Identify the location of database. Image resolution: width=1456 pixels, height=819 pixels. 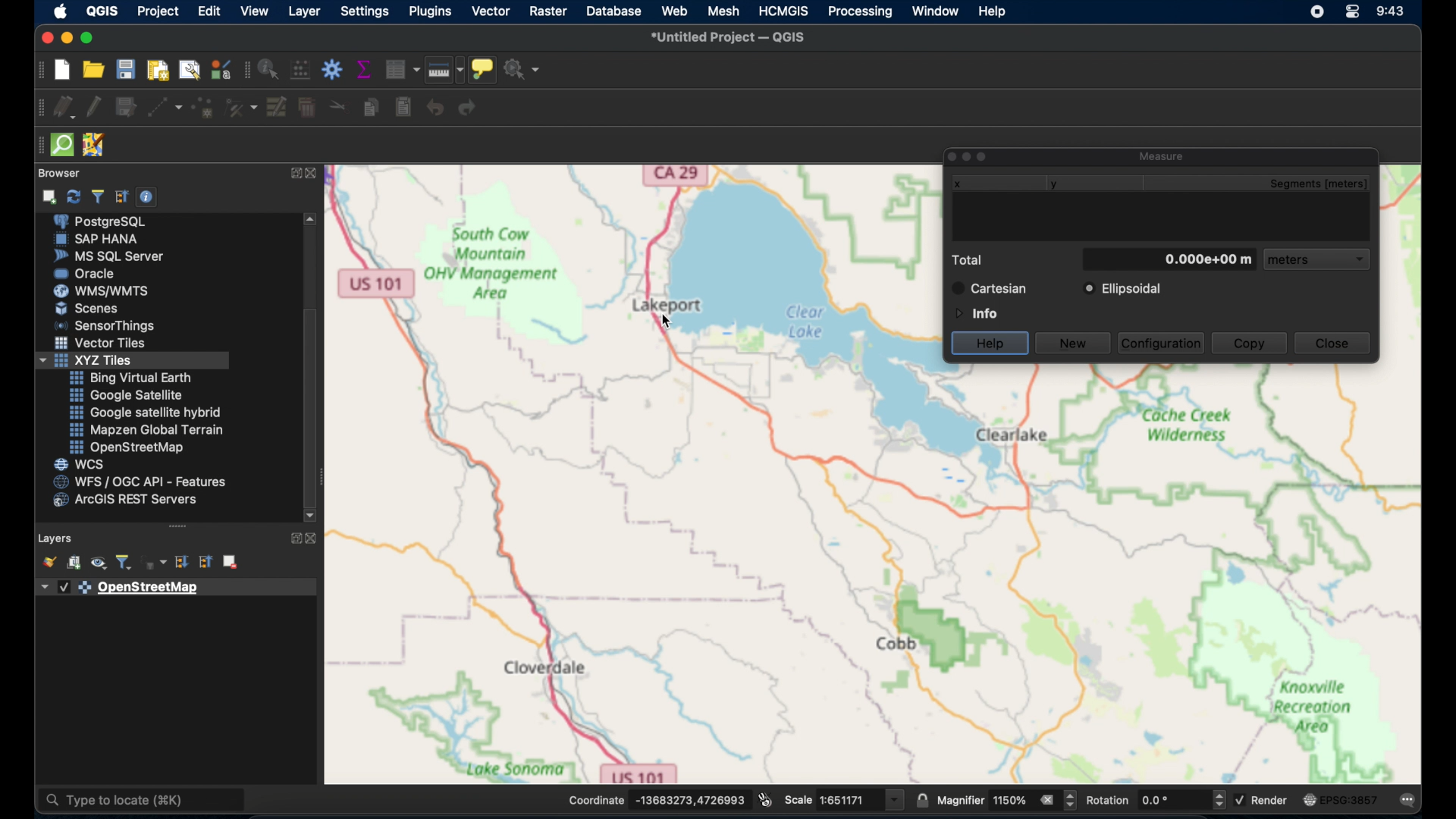
(616, 11).